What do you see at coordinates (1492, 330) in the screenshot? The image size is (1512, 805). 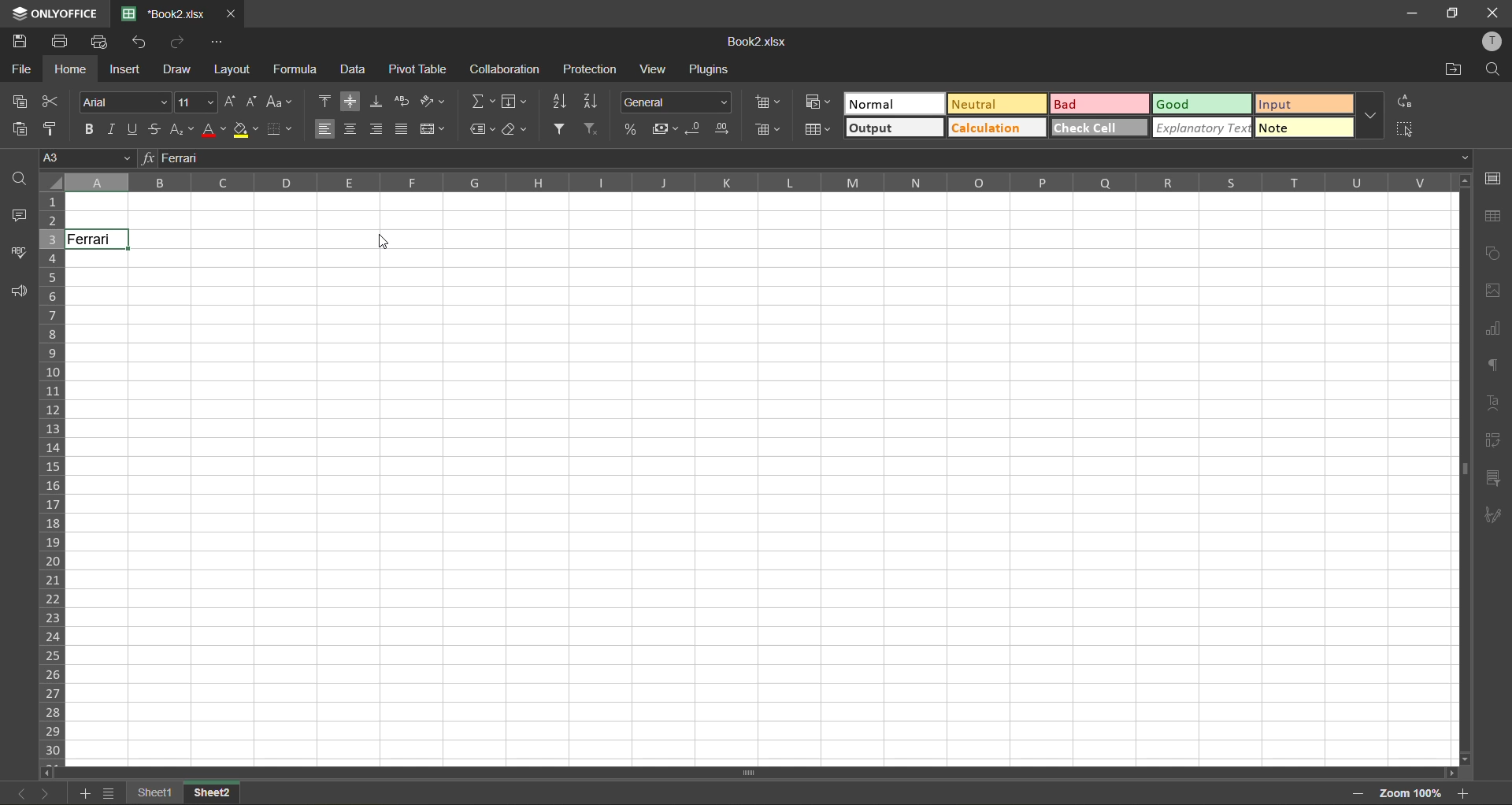 I see `charts` at bounding box center [1492, 330].